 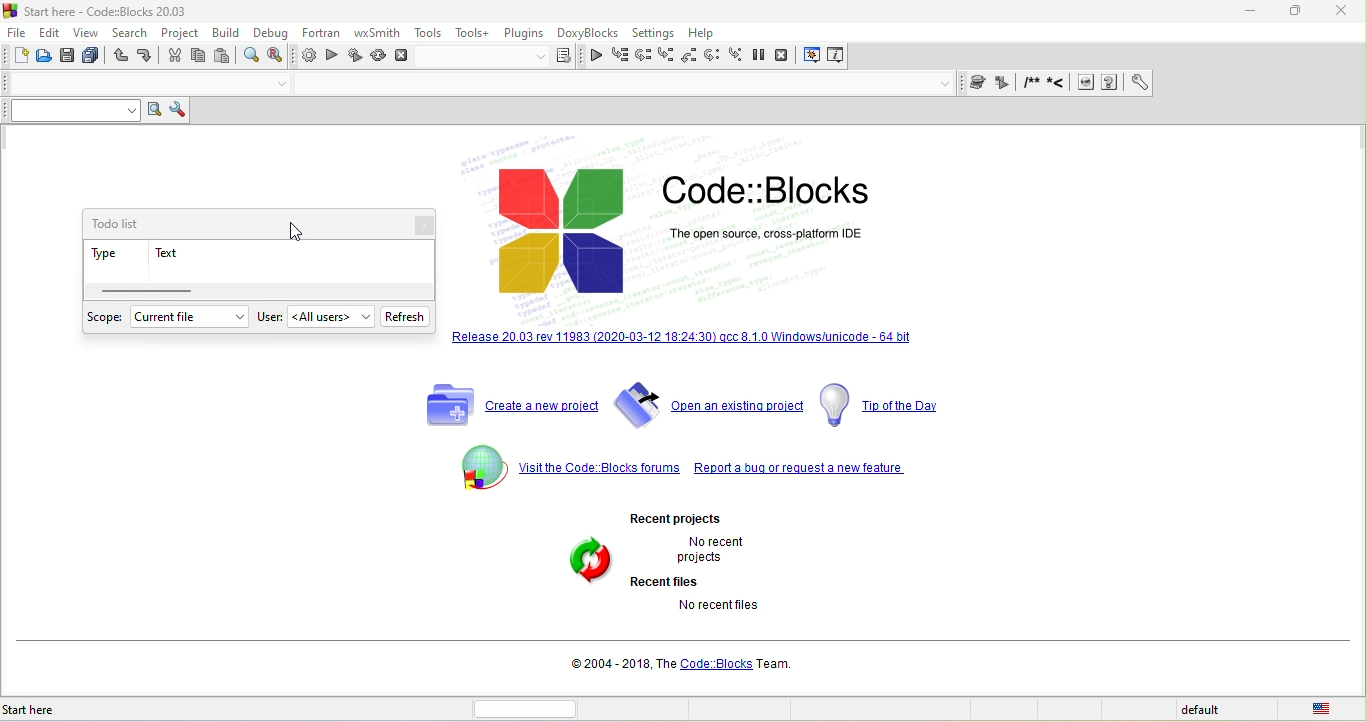 I want to click on doxy blocks, so click(x=585, y=34).